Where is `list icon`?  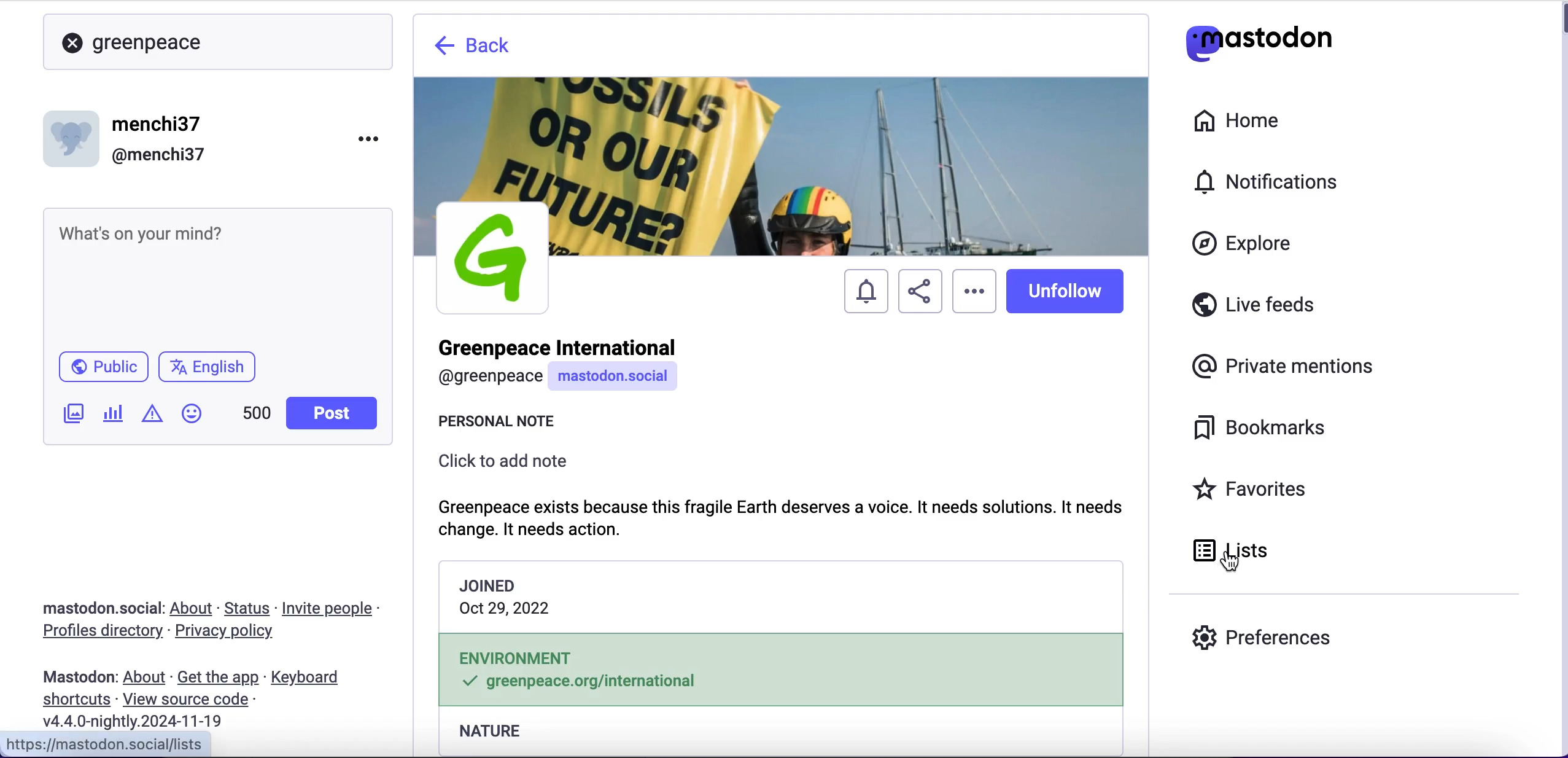
list icon is located at coordinates (1201, 550).